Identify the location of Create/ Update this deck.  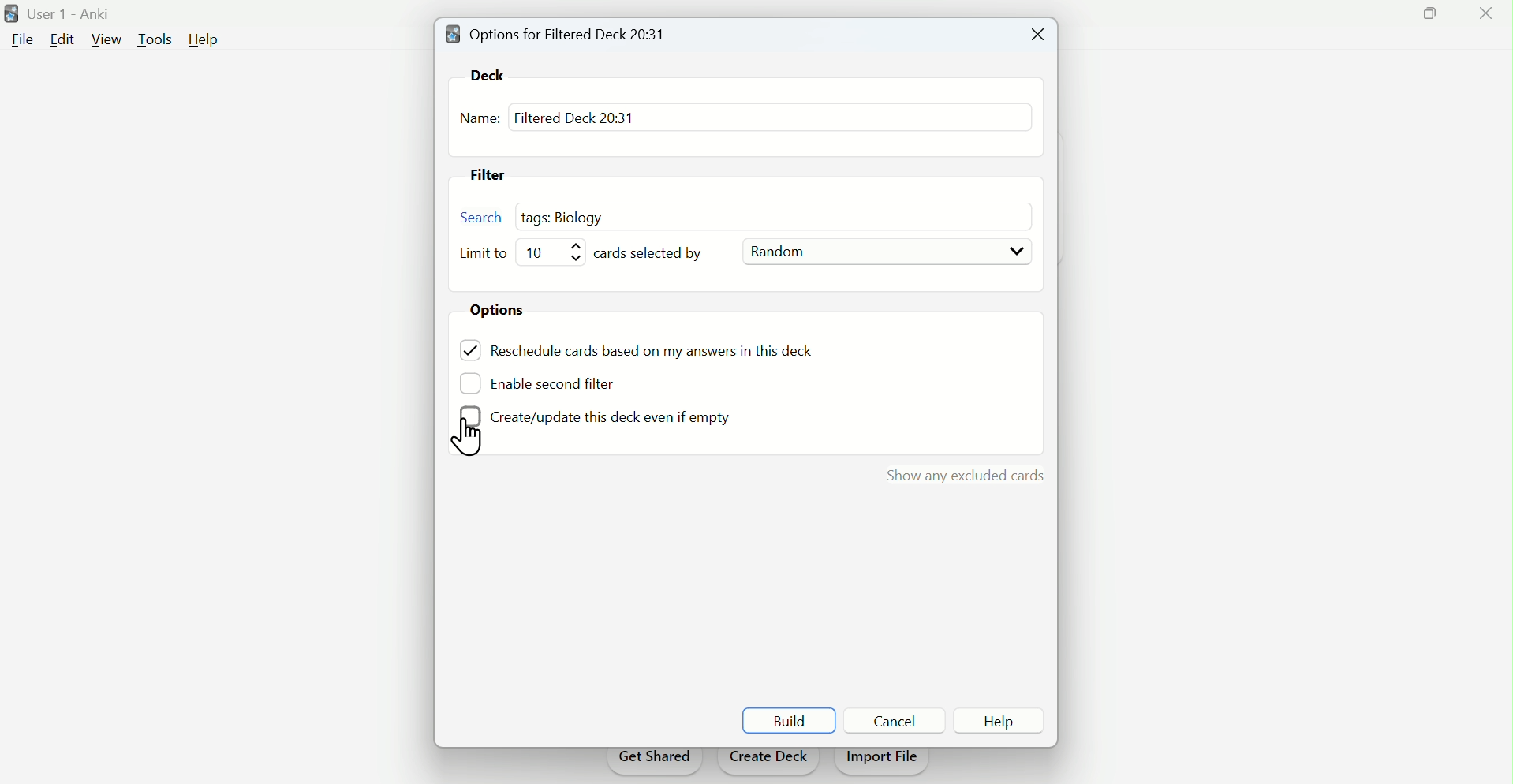
(593, 418).